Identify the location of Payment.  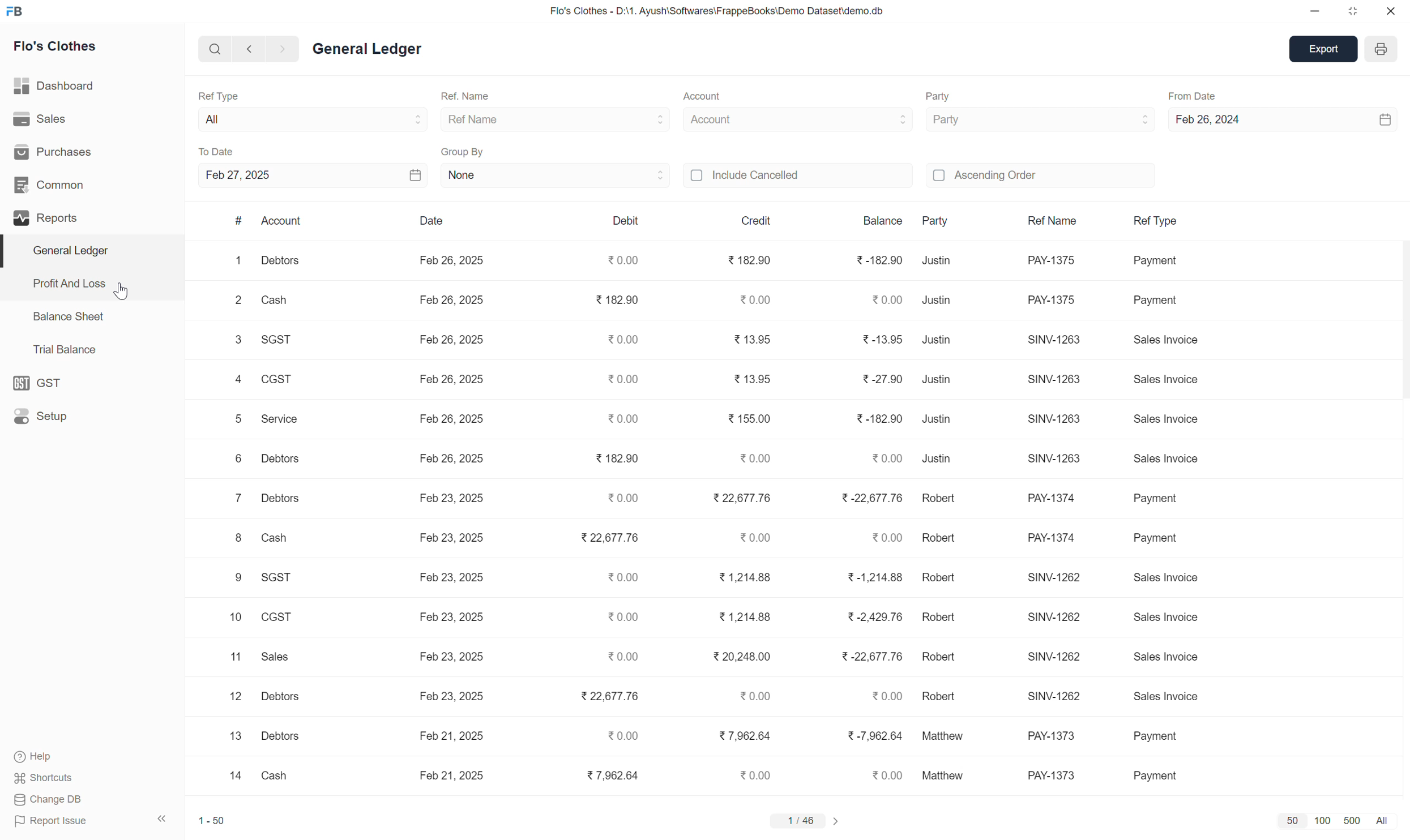
(1160, 498).